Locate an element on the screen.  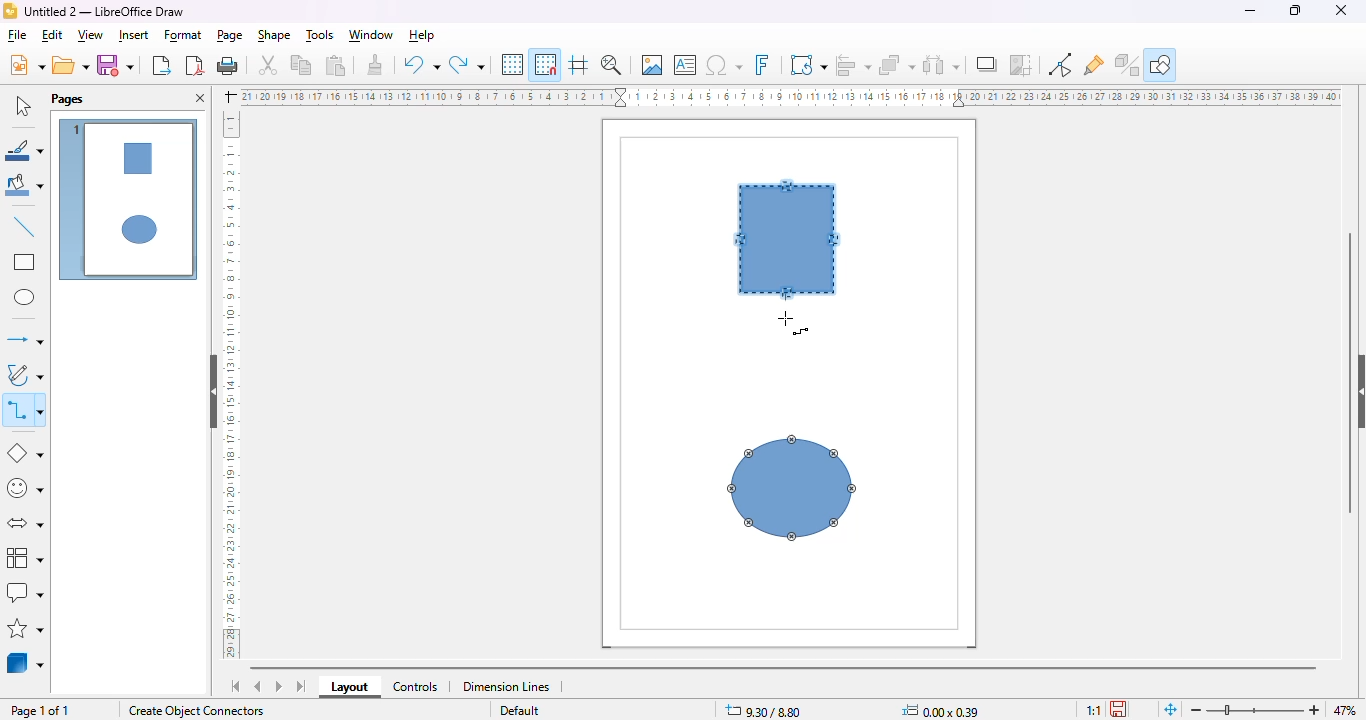
show is located at coordinates (1357, 392).